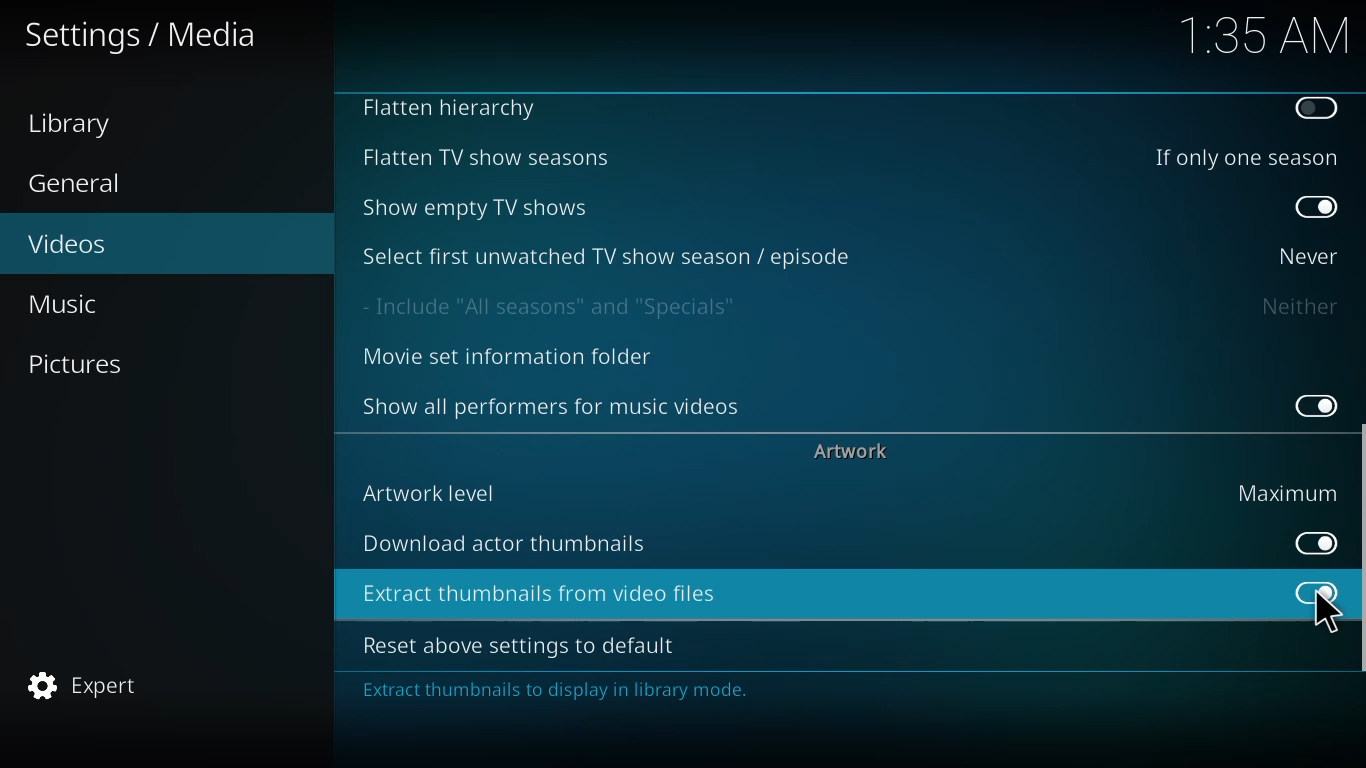 This screenshot has height=768, width=1366. I want to click on enable, so click(1315, 108).